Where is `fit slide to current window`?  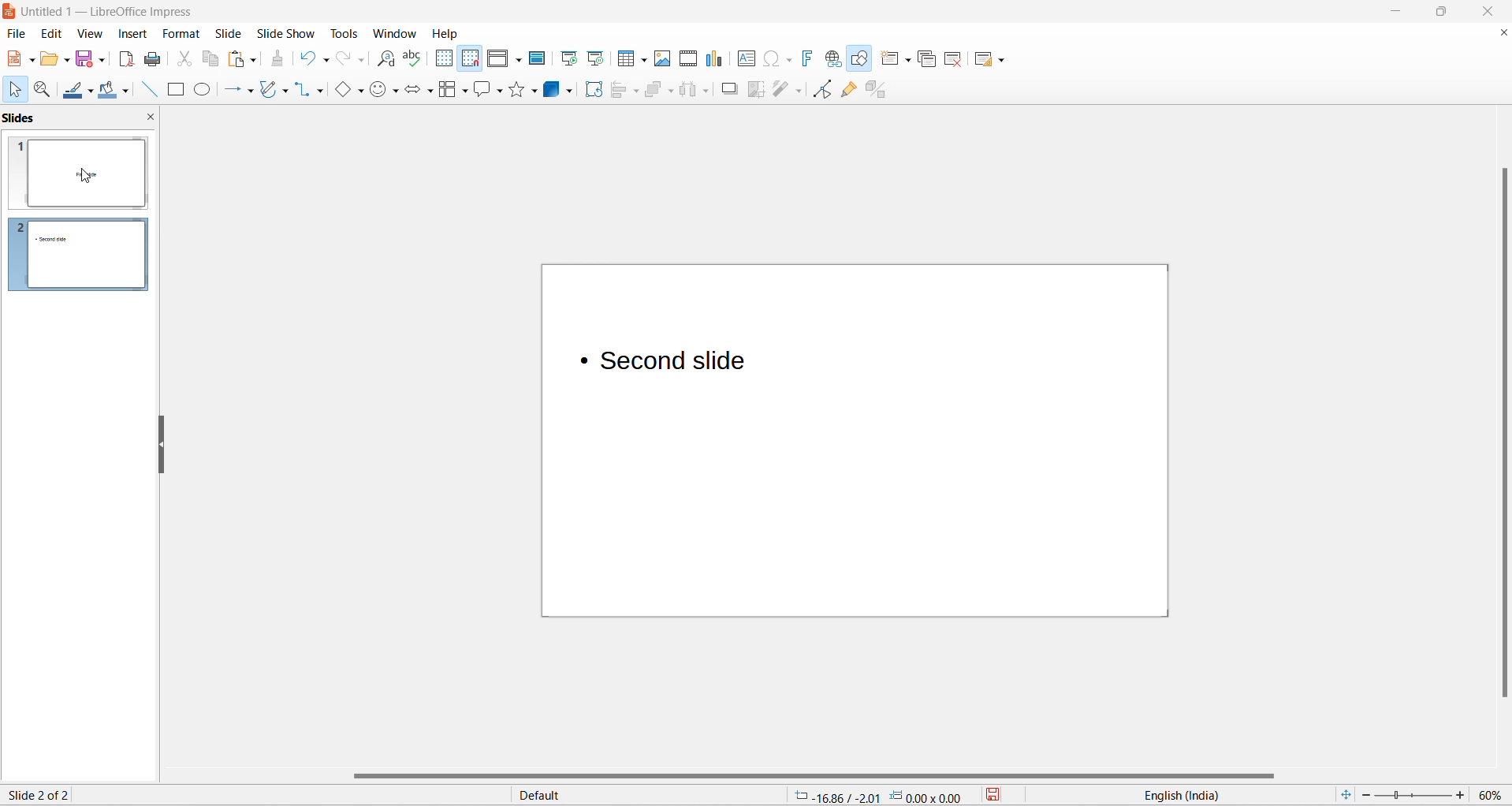 fit slide to current window is located at coordinates (1344, 794).